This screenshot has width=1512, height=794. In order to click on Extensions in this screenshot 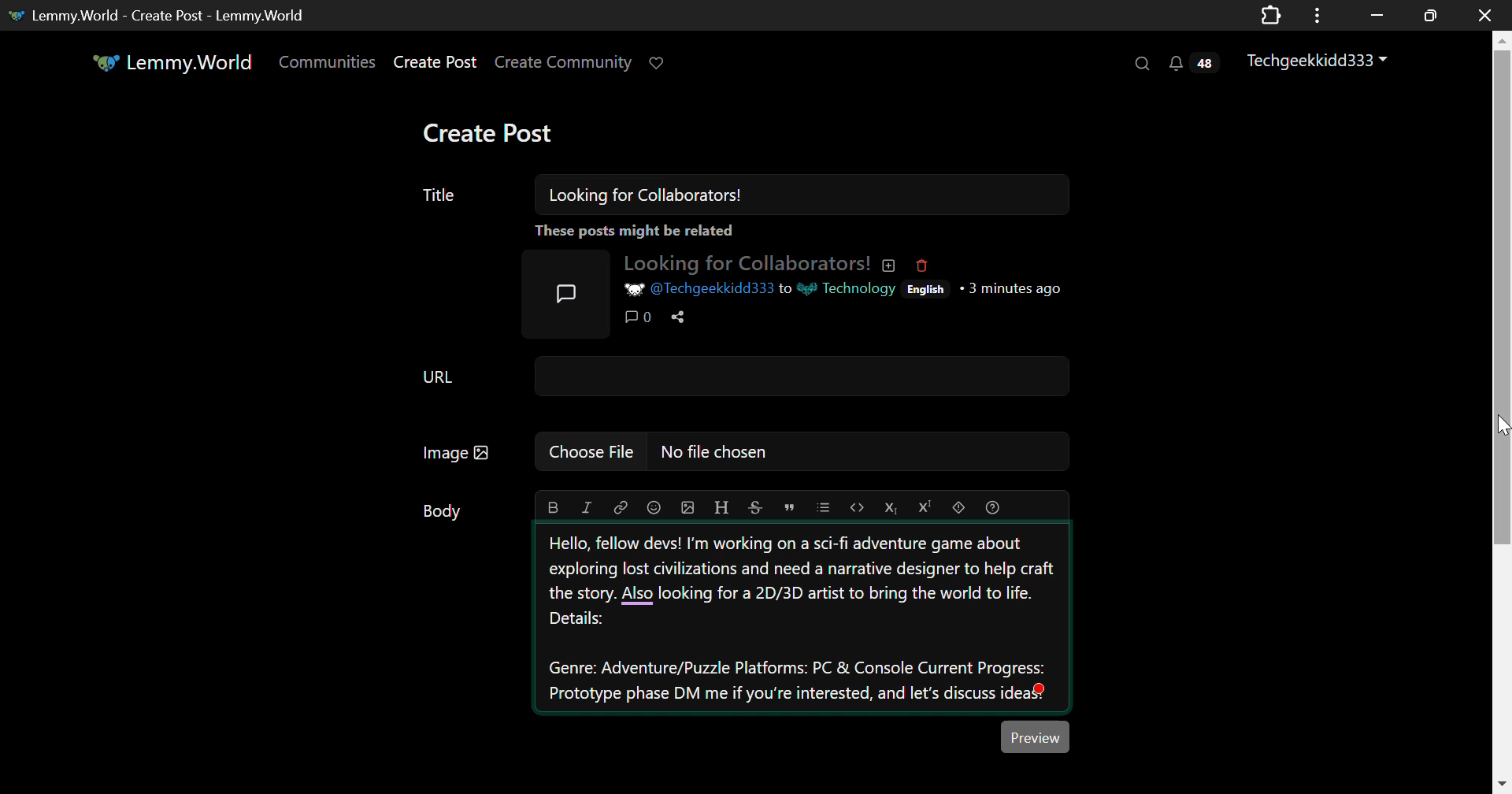, I will do `click(1270, 14)`.